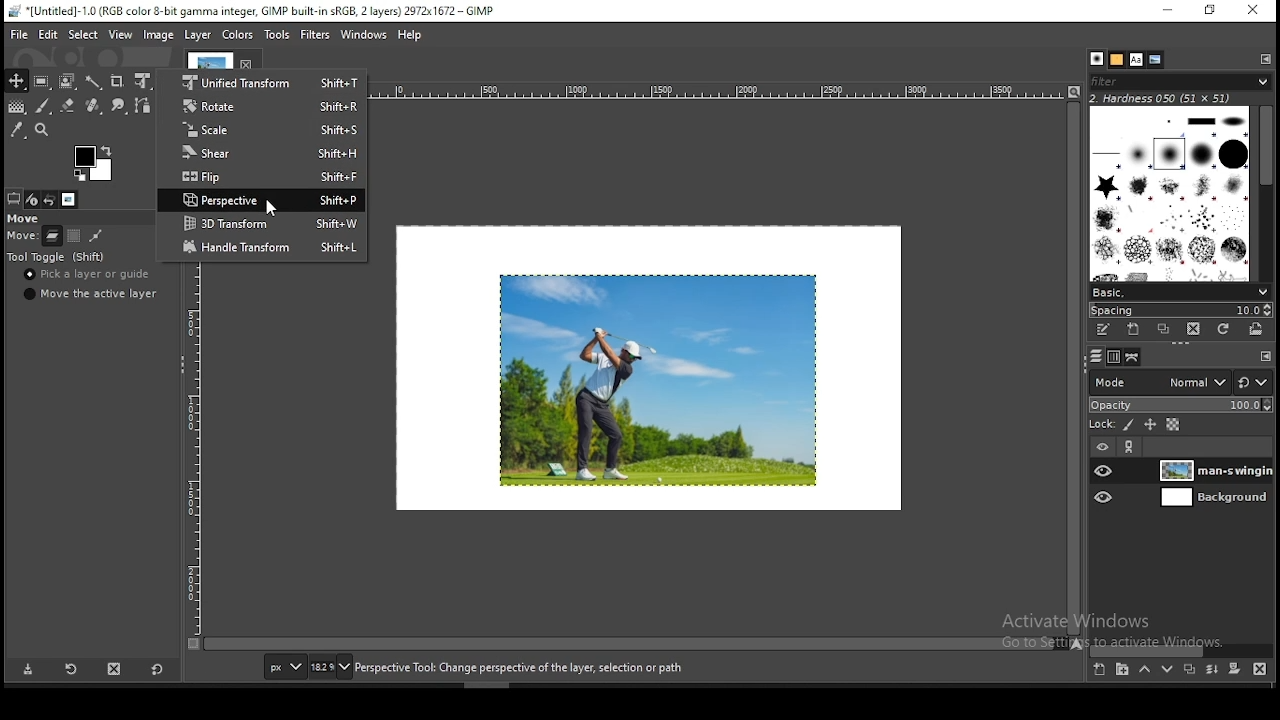 The width and height of the screenshot is (1280, 720). I want to click on image, so click(235, 34).